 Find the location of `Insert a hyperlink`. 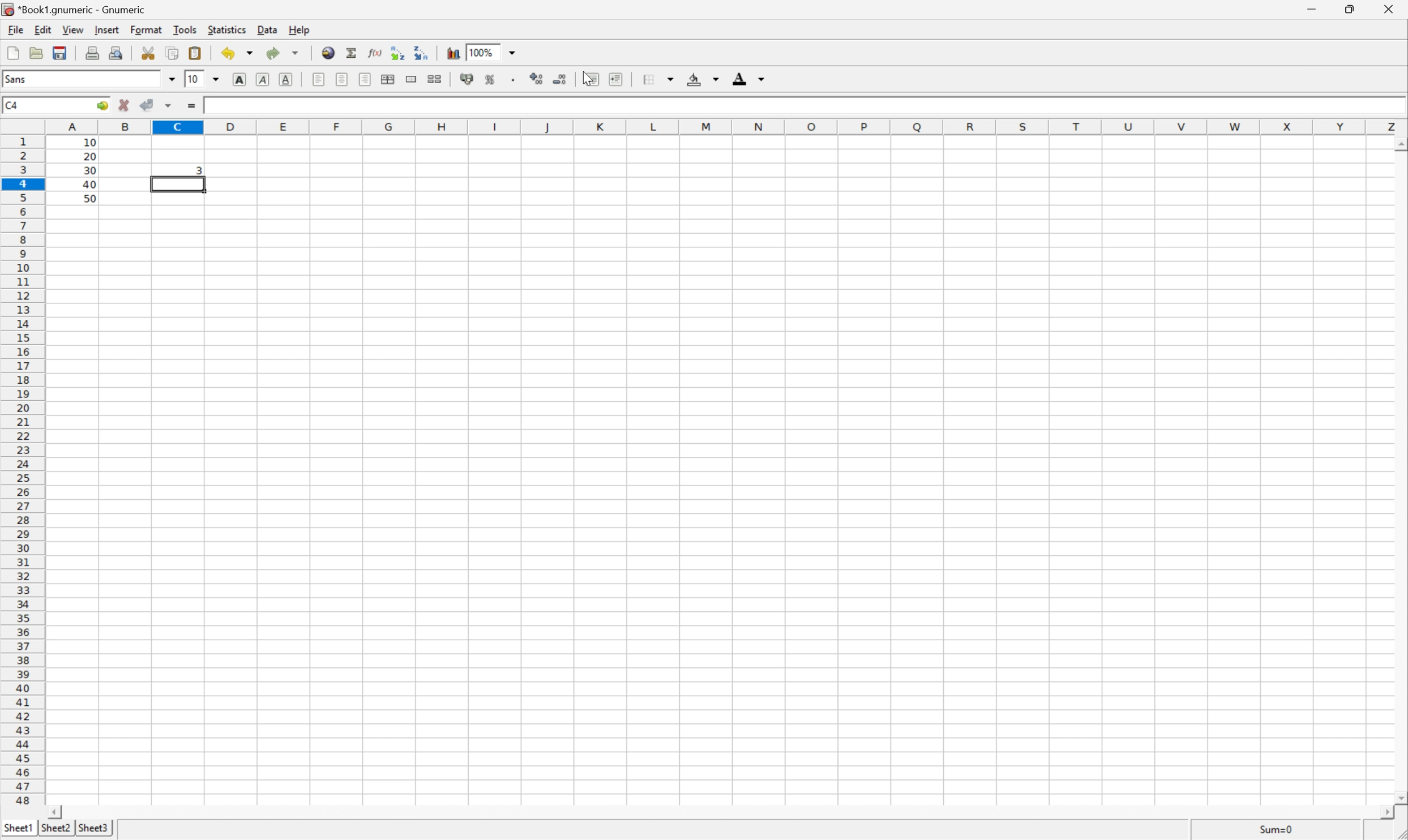

Insert a hyperlink is located at coordinates (327, 53).